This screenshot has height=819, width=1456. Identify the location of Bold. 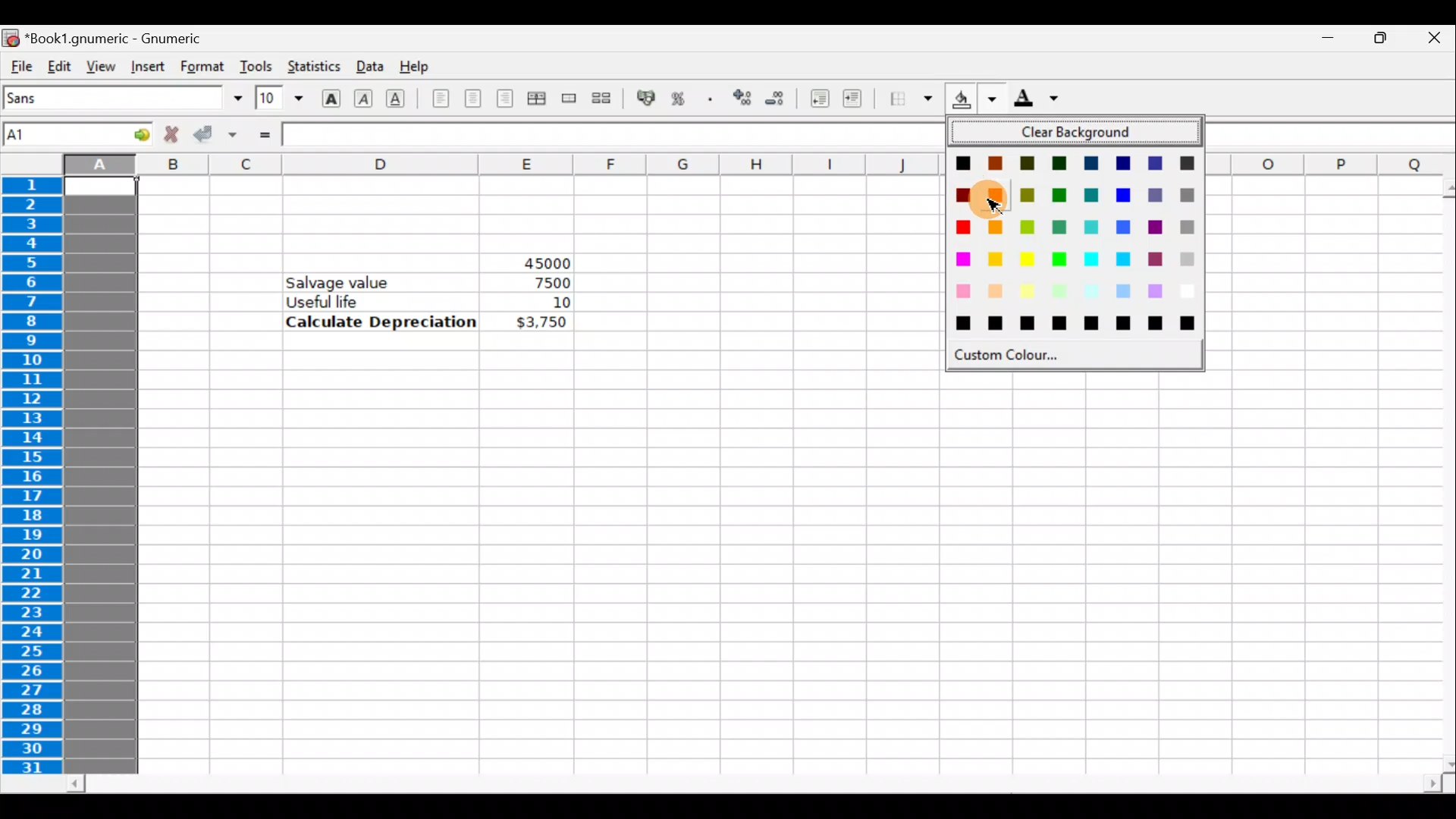
(331, 96).